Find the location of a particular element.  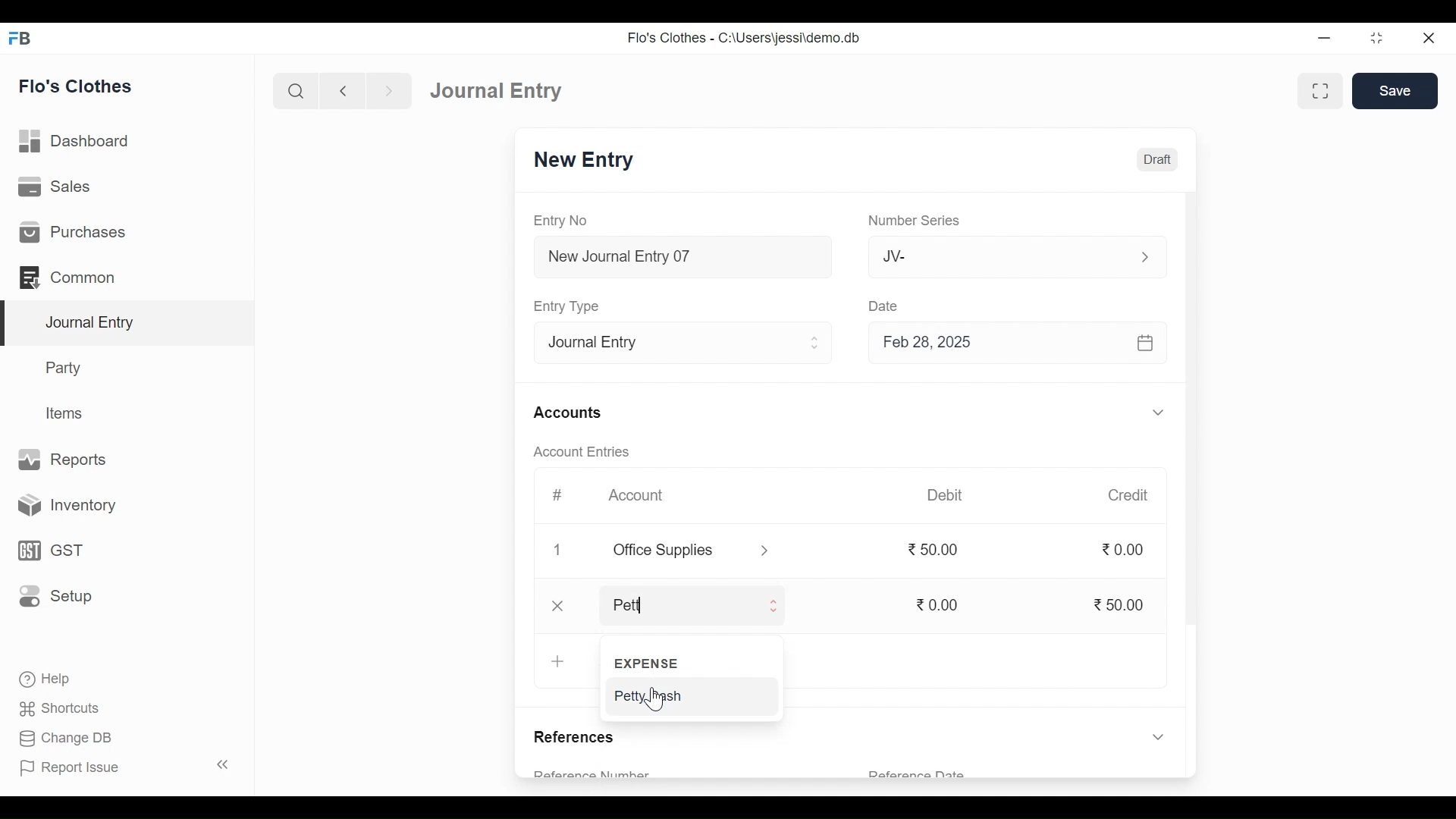

Expand is located at coordinates (1144, 257).